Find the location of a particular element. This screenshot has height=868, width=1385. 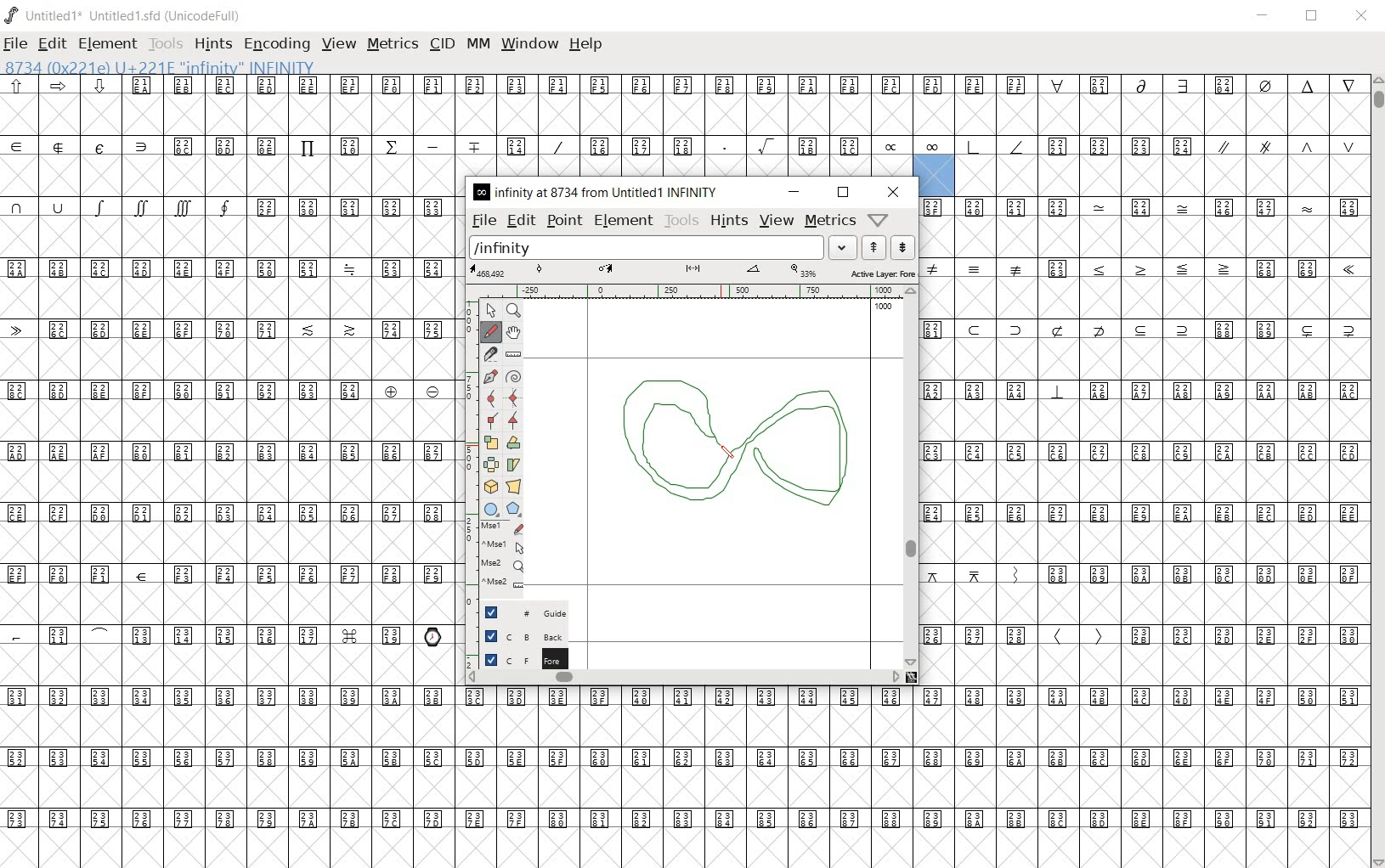

Unicode code points is located at coordinates (1098, 573).